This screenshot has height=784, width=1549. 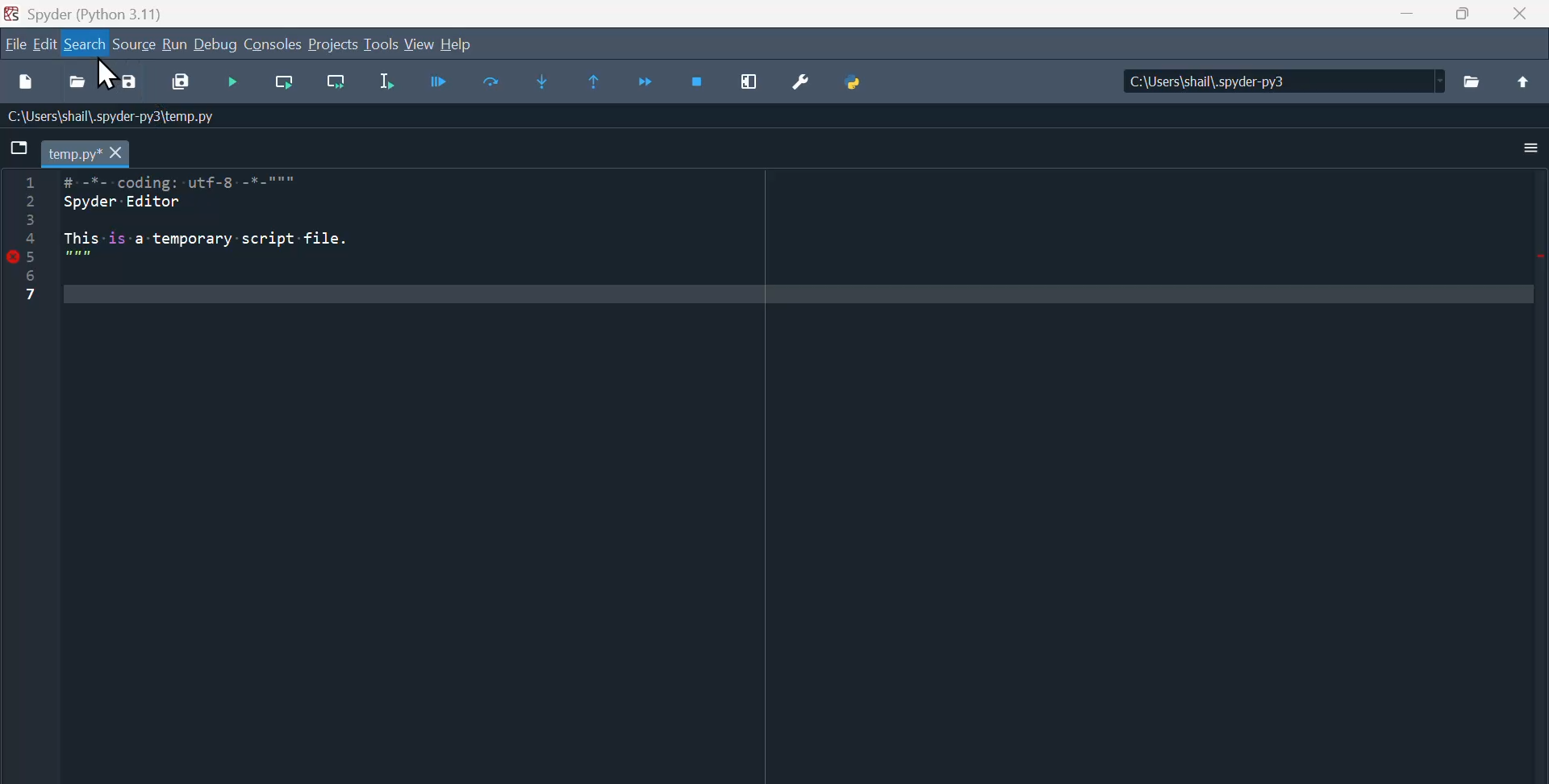 What do you see at coordinates (382, 84) in the screenshot?
I see `Run selection` at bounding box center [382, 84].